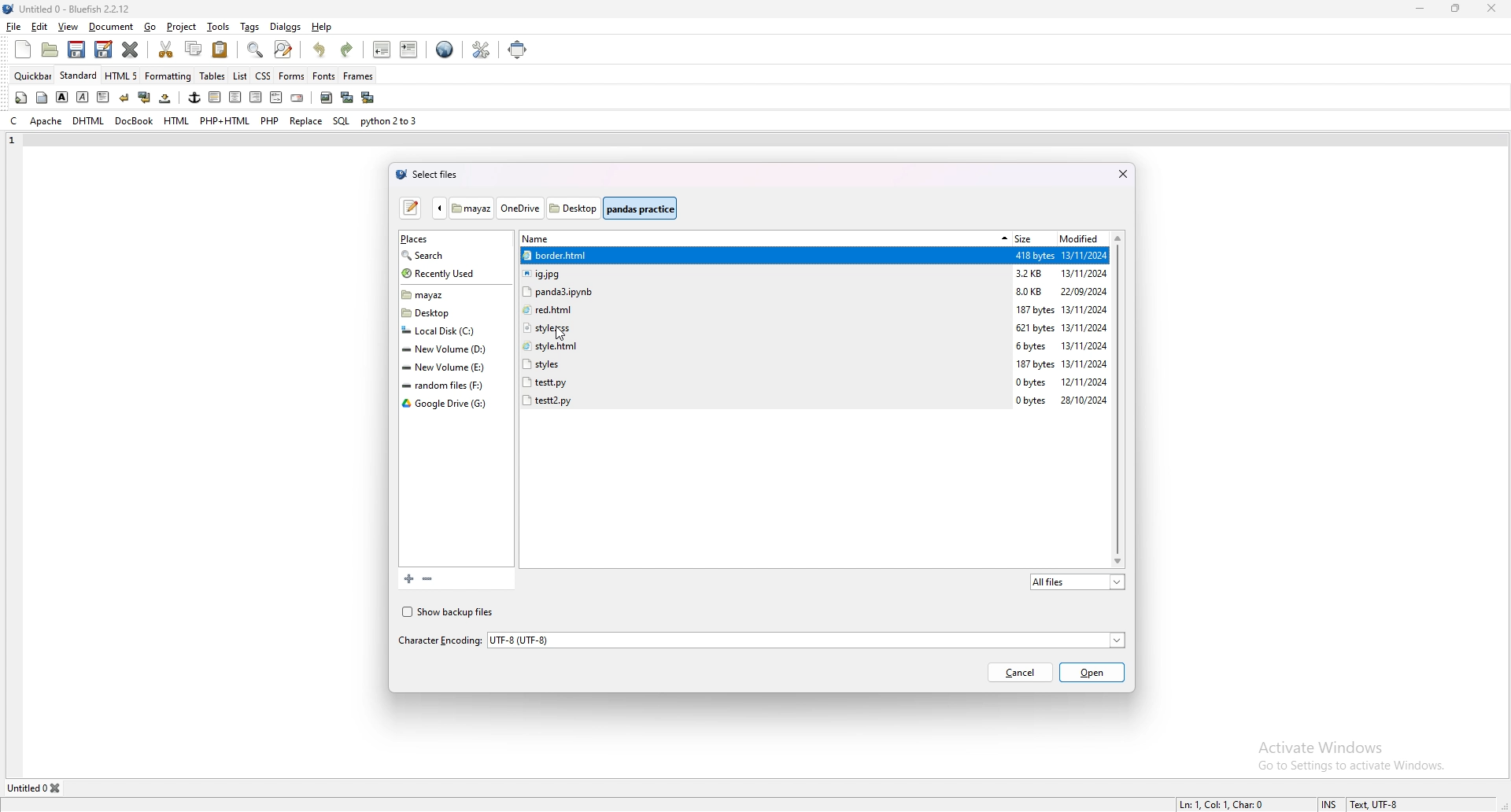 This screenshot has width=1511, height=812. What do you see at coordinates (764, 290) in the screenshot?
I see `file` at bounding box center [764, 290].